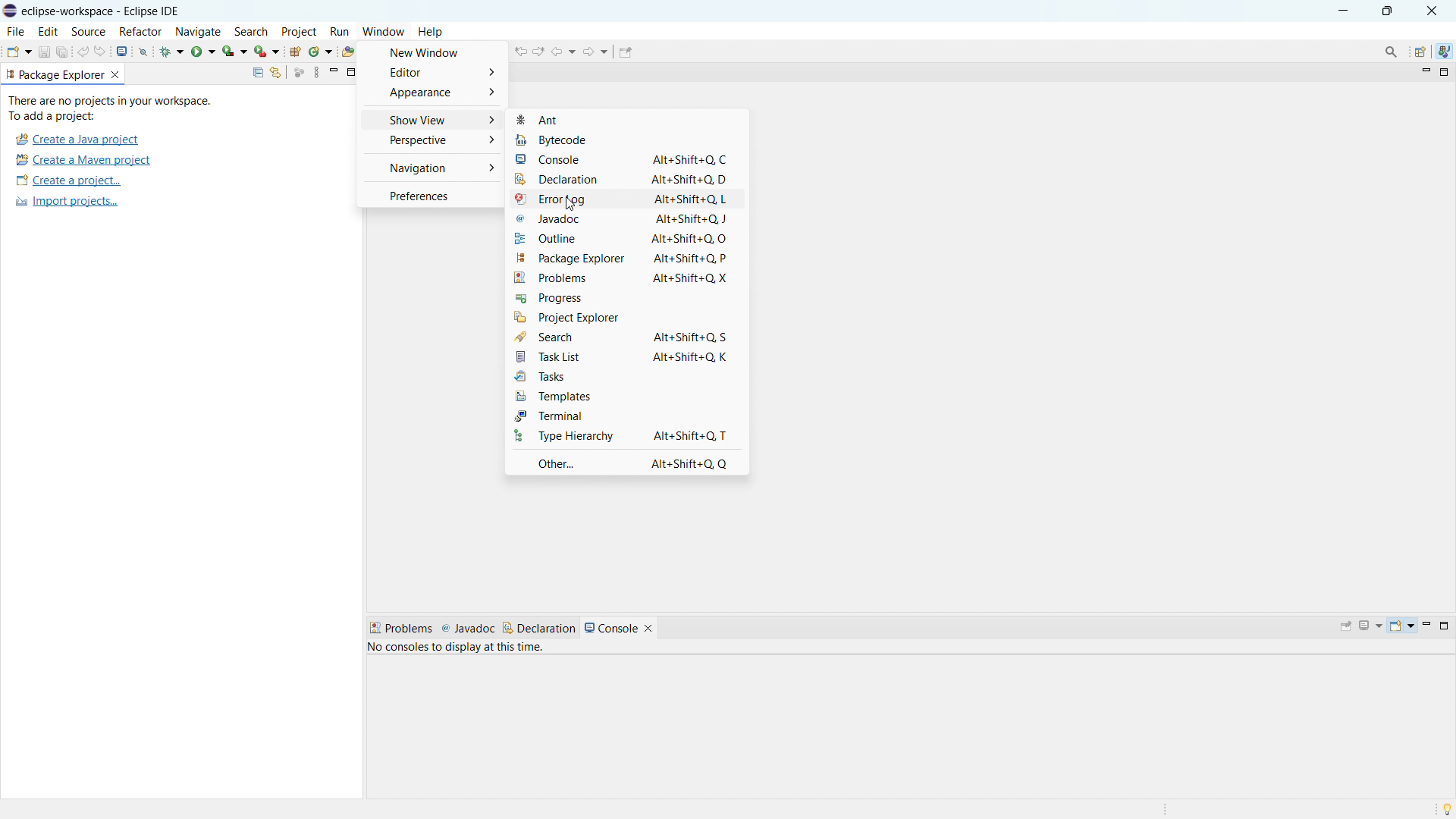 This screenshot has height=819, width=1456. Describe the element at coordinates (121, 52) in the screenshot. I see `open console` at that location.